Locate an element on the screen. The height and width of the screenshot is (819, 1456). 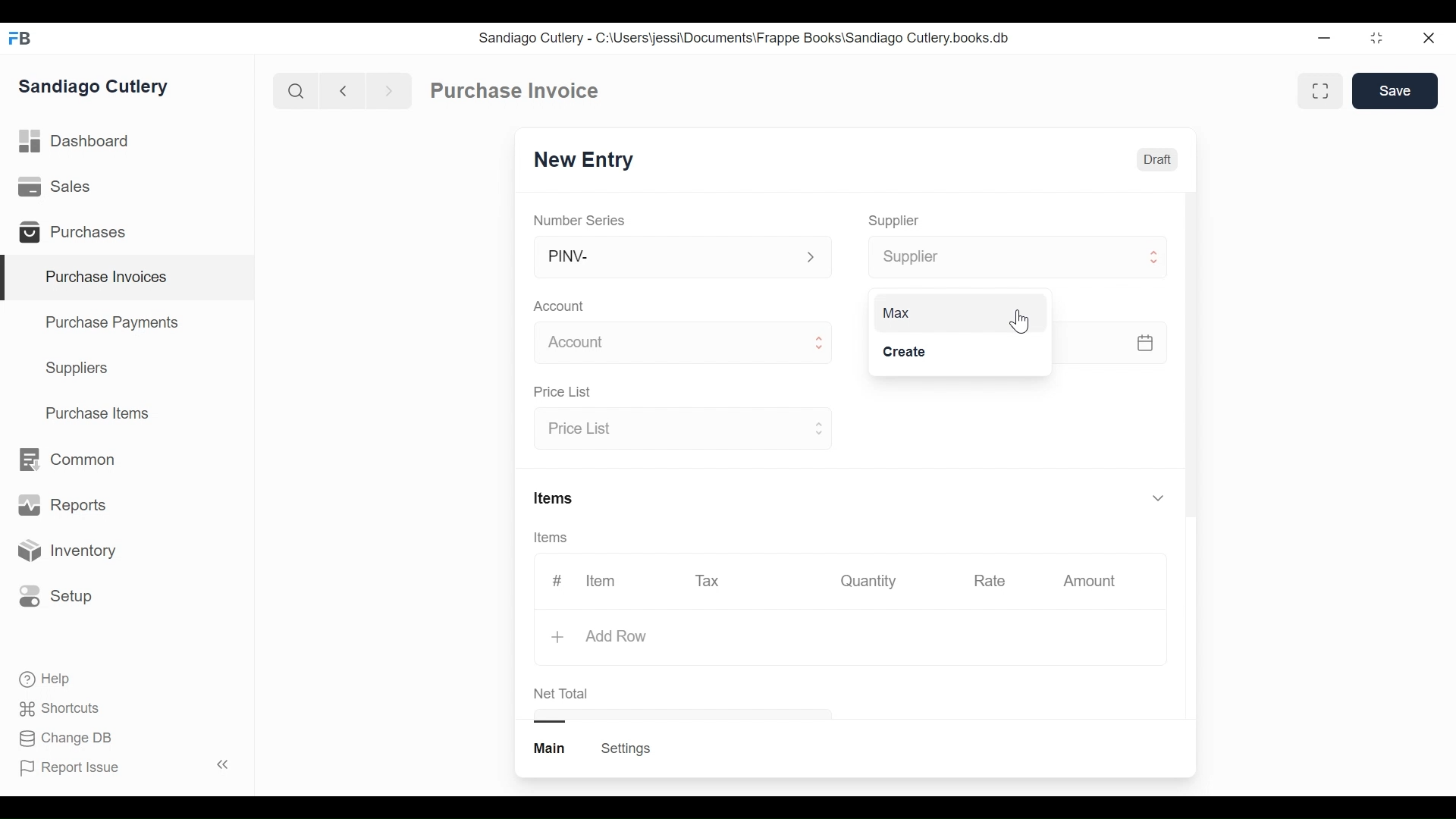
close is located at coordinates (1427, 39).